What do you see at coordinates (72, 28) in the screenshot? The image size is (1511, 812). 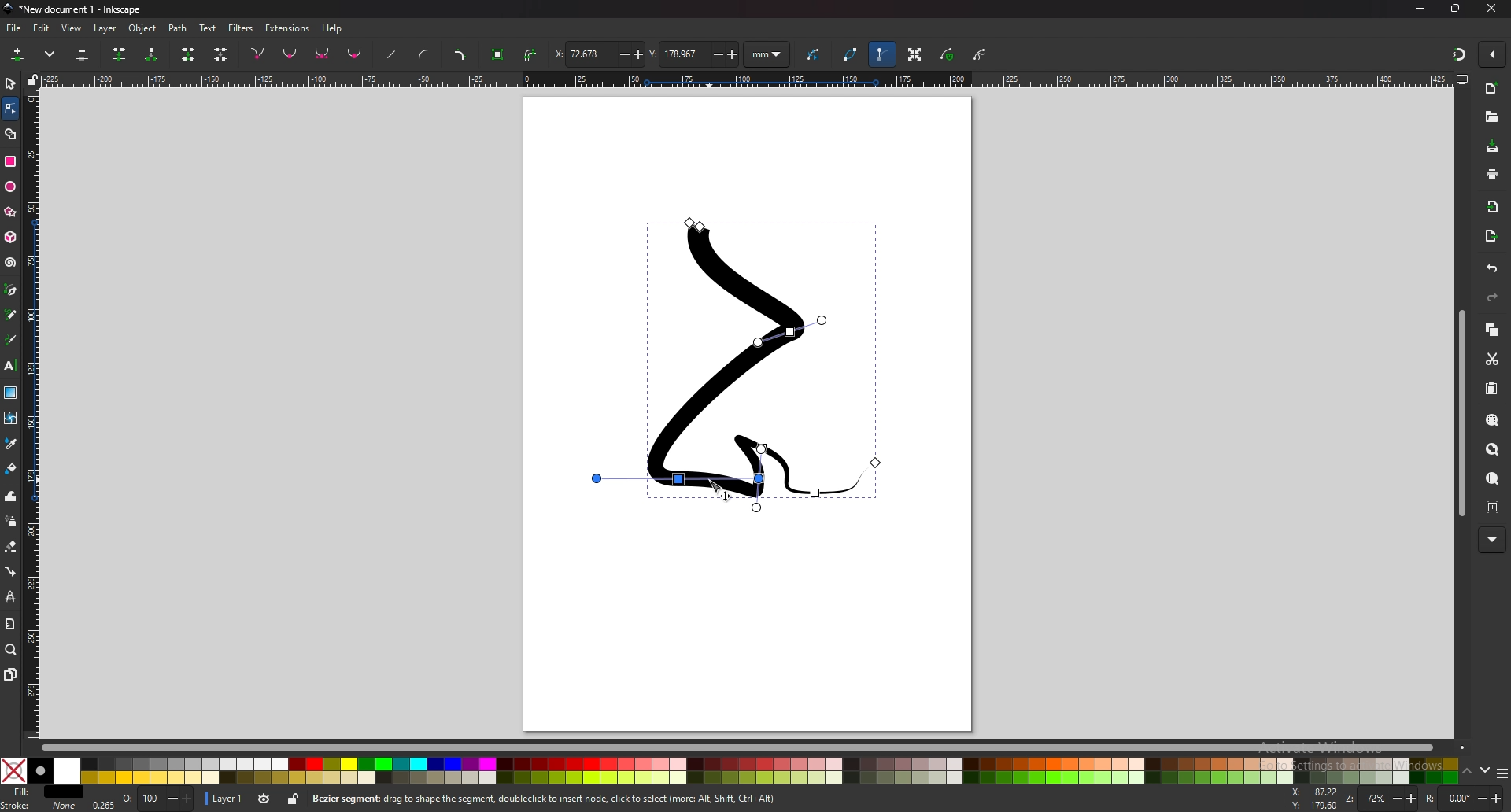 I see `view` at bounding box center [72, 28].